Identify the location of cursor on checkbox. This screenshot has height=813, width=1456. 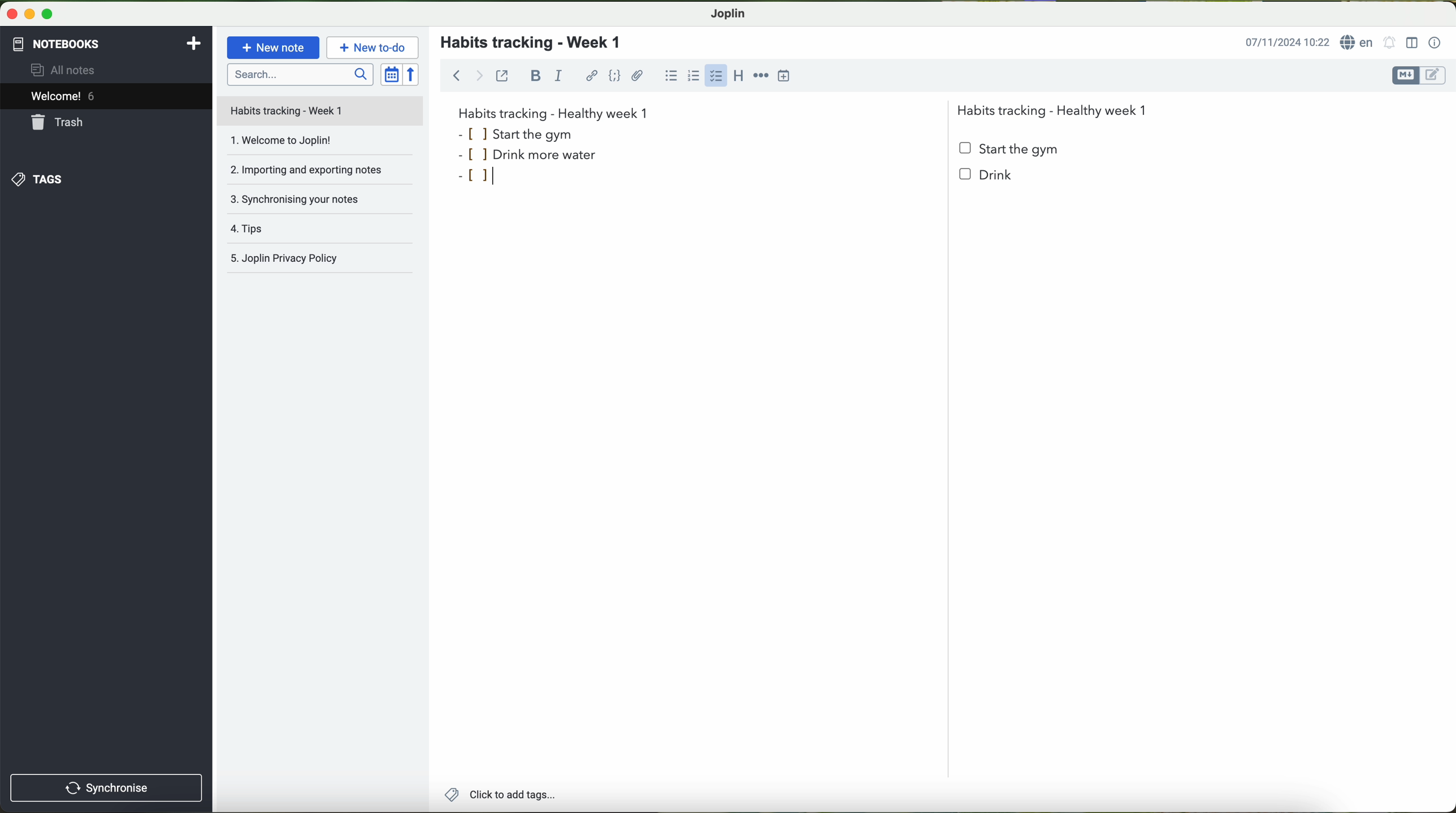
(717, 79).